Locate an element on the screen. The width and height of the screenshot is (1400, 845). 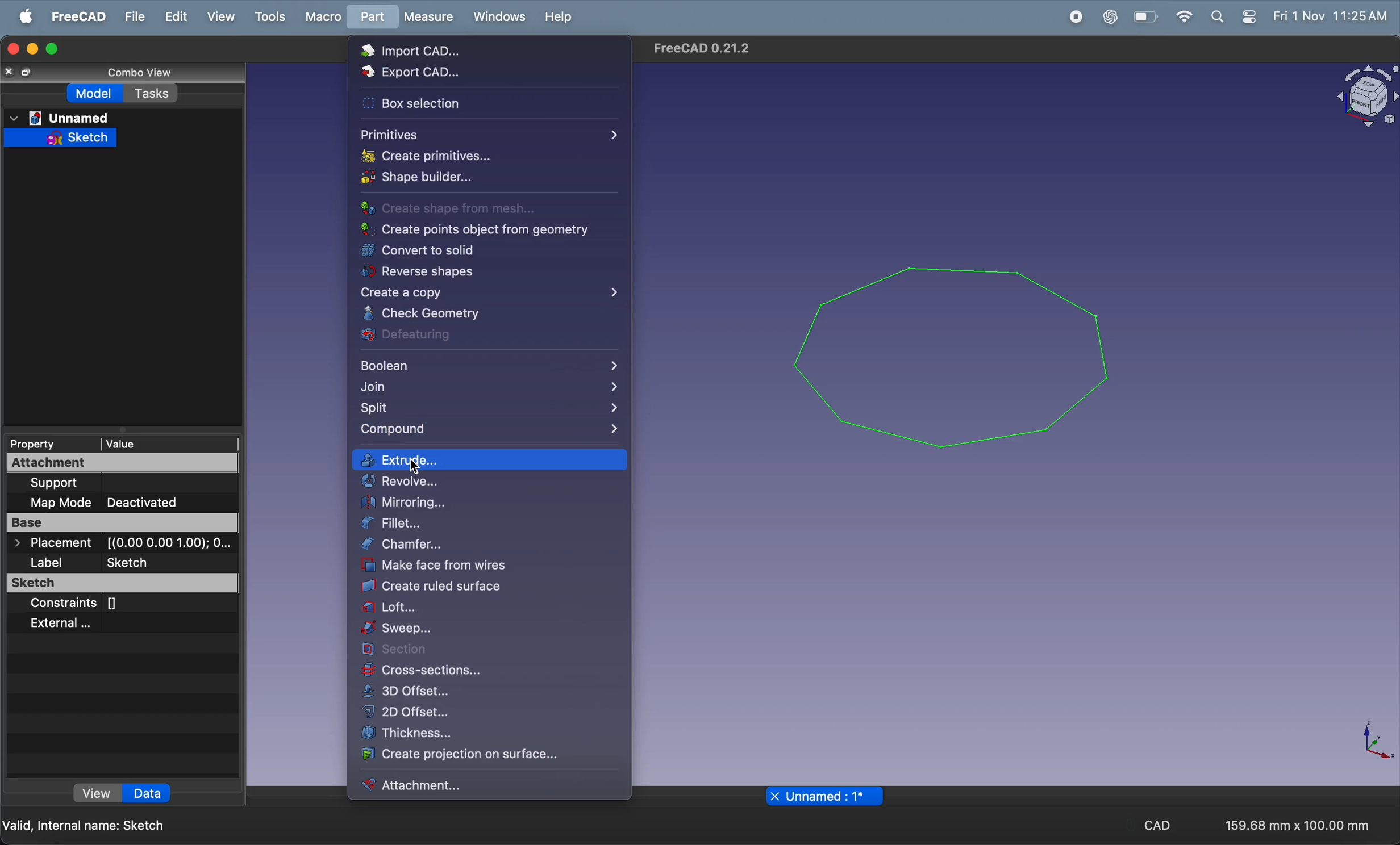
free cad is located at coordinates (73, 16).